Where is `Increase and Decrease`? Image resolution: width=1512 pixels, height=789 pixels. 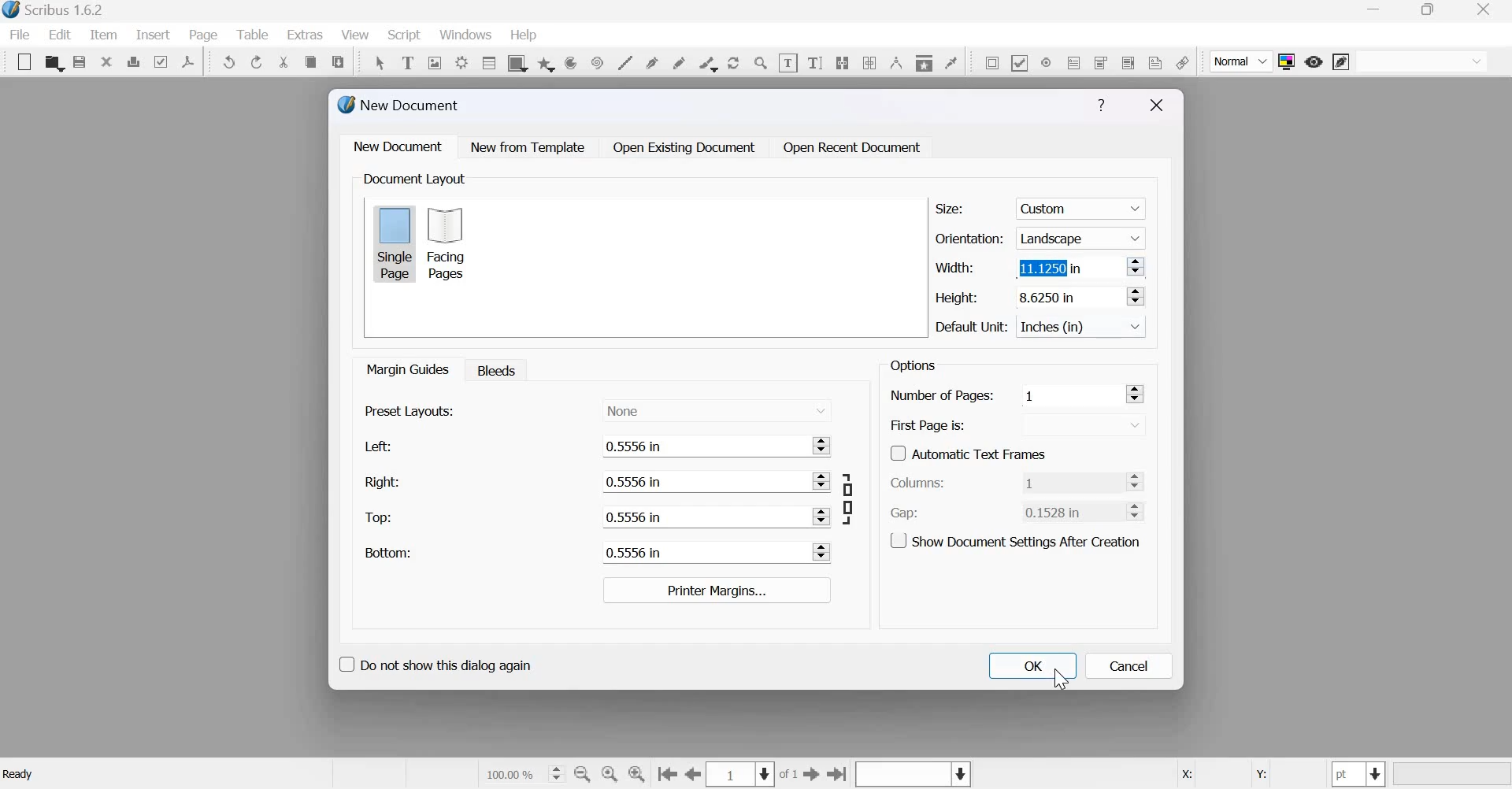 Increase and Decrease is located at coordinates (1136, 266).